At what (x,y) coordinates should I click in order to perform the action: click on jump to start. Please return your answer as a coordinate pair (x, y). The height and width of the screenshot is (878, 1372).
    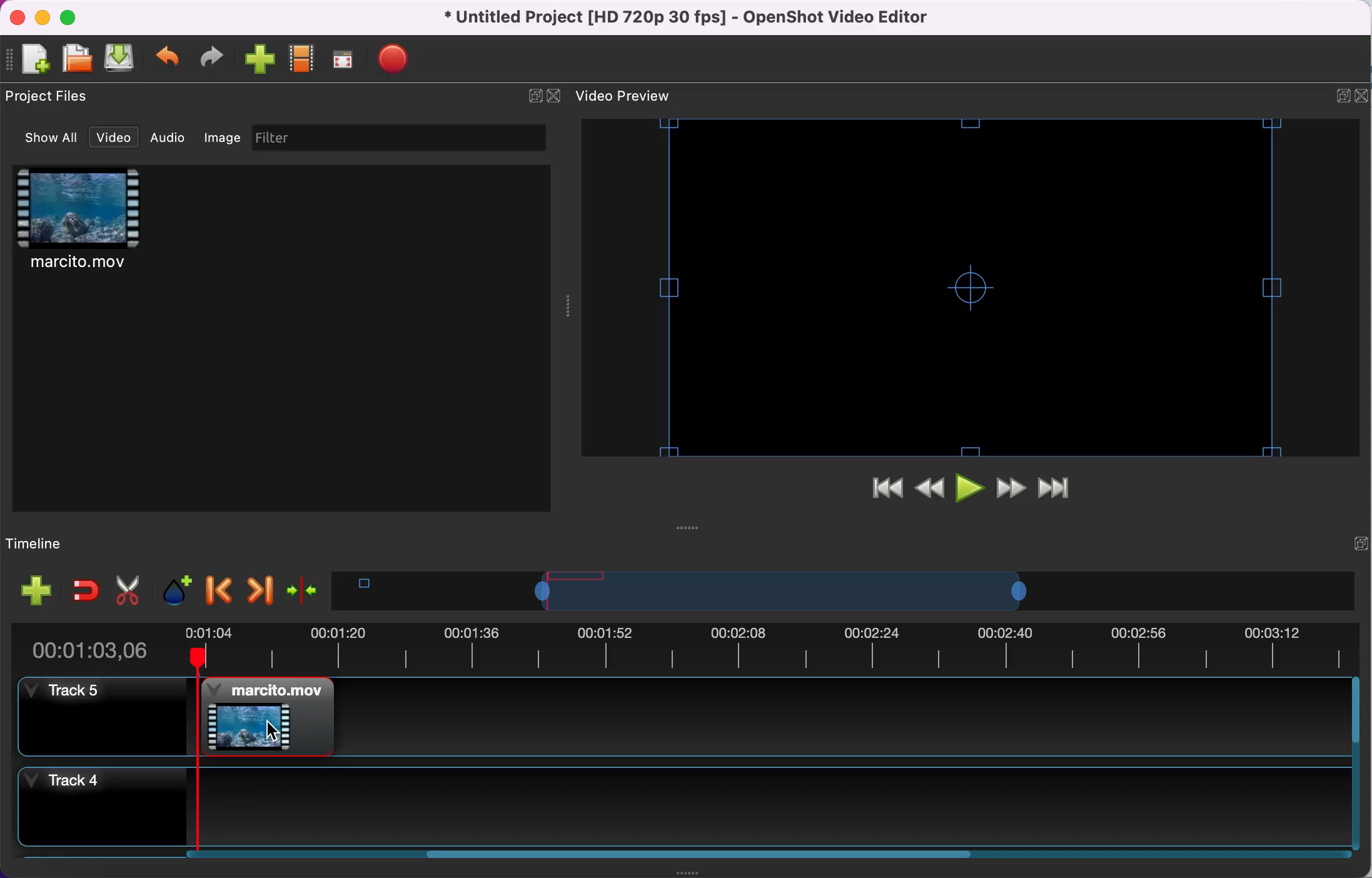
    Looking at the image, I should click on (879, 492).